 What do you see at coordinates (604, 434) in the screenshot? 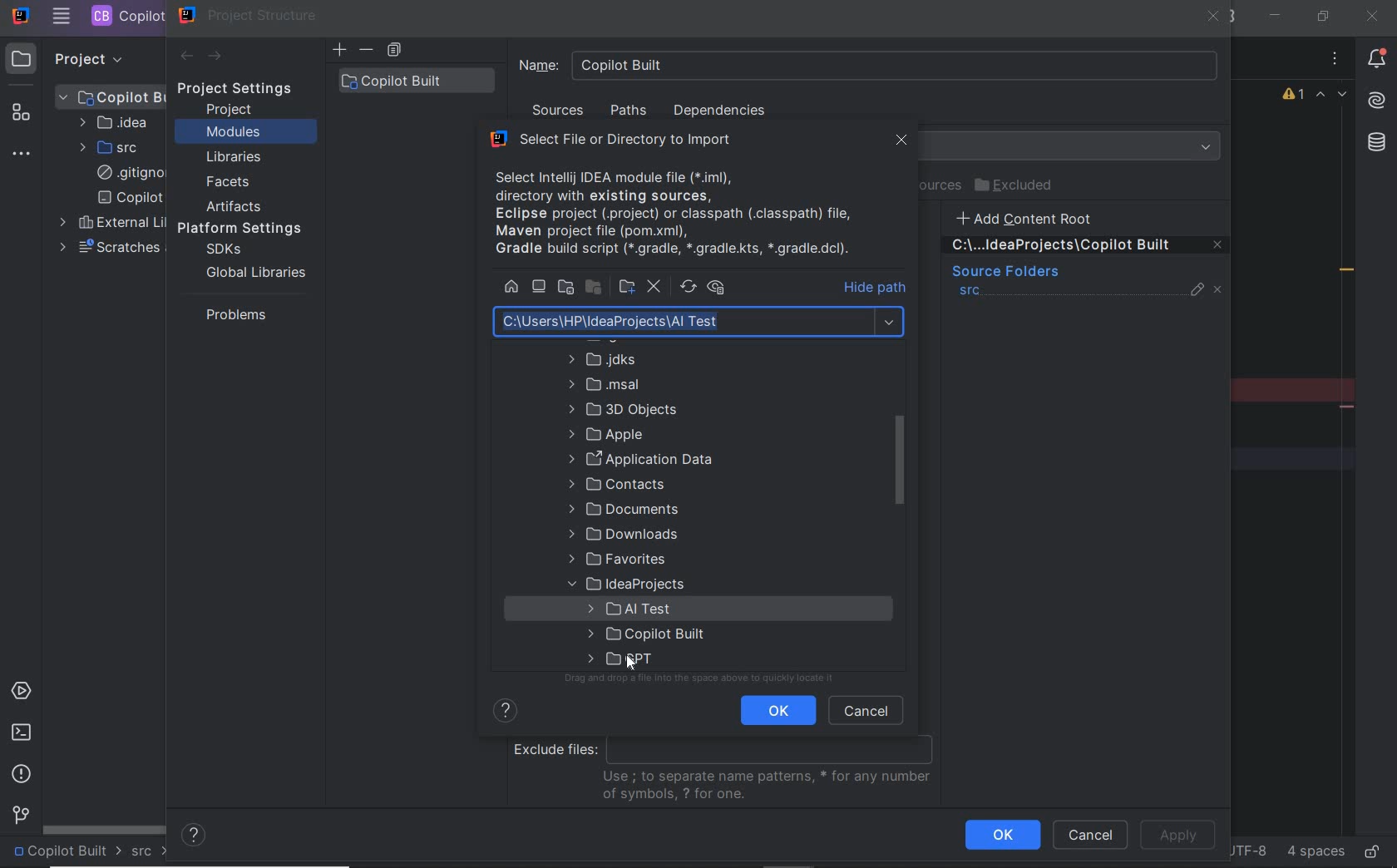
I see `folder` at bounding box center [604, 434].